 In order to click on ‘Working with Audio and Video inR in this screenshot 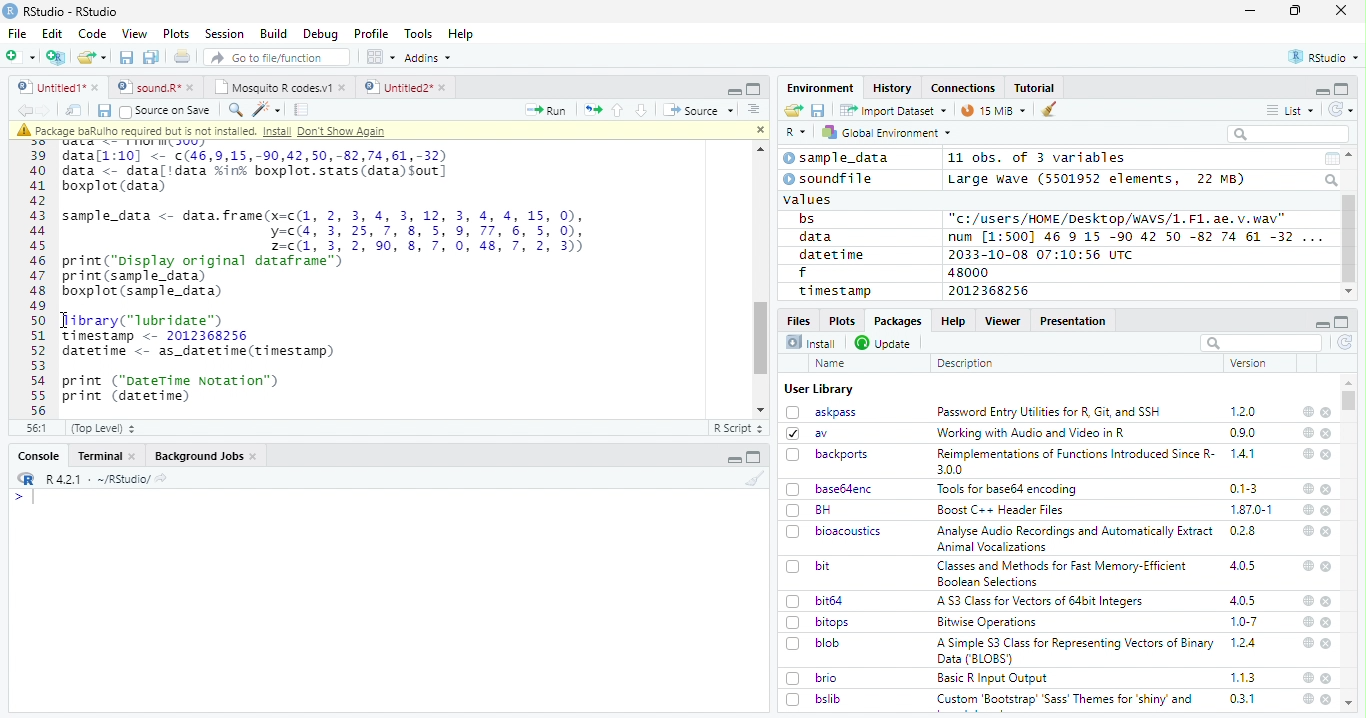, I will do `click(1033, 433)`.